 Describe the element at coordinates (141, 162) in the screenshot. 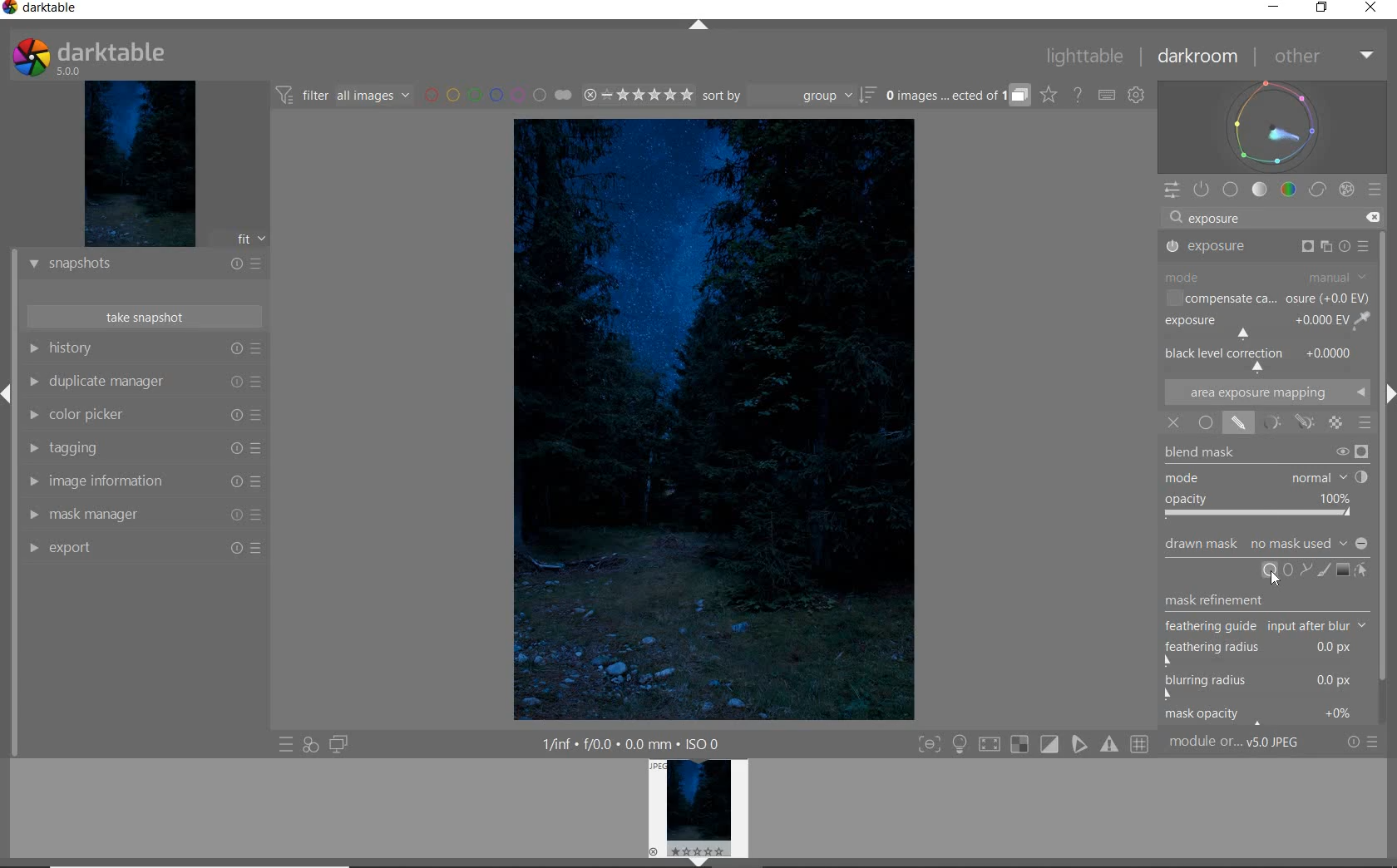

I see `IMAGE PREVIEW` at that location.